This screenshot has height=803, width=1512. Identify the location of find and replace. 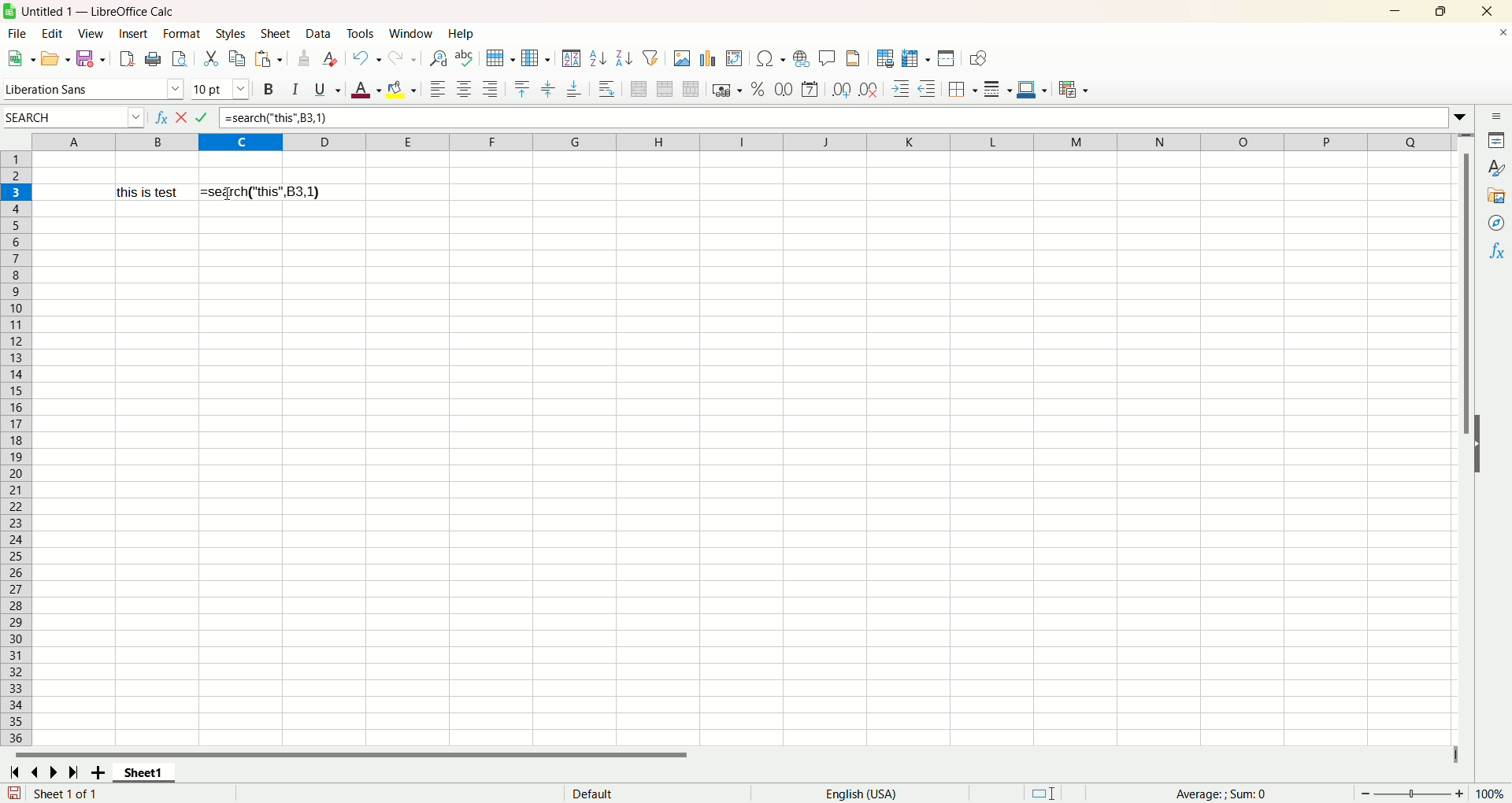
(439, 59).